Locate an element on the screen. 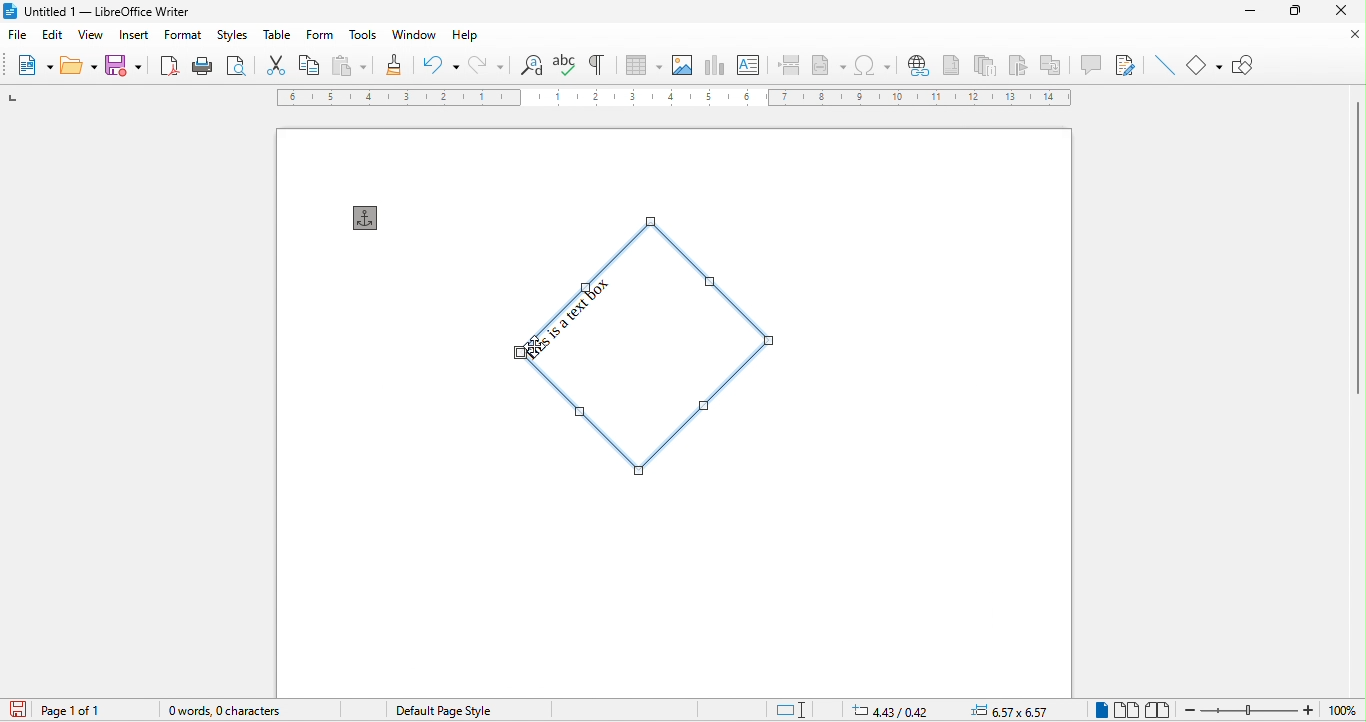  basic shapes is located at coordinates (1206, 64).